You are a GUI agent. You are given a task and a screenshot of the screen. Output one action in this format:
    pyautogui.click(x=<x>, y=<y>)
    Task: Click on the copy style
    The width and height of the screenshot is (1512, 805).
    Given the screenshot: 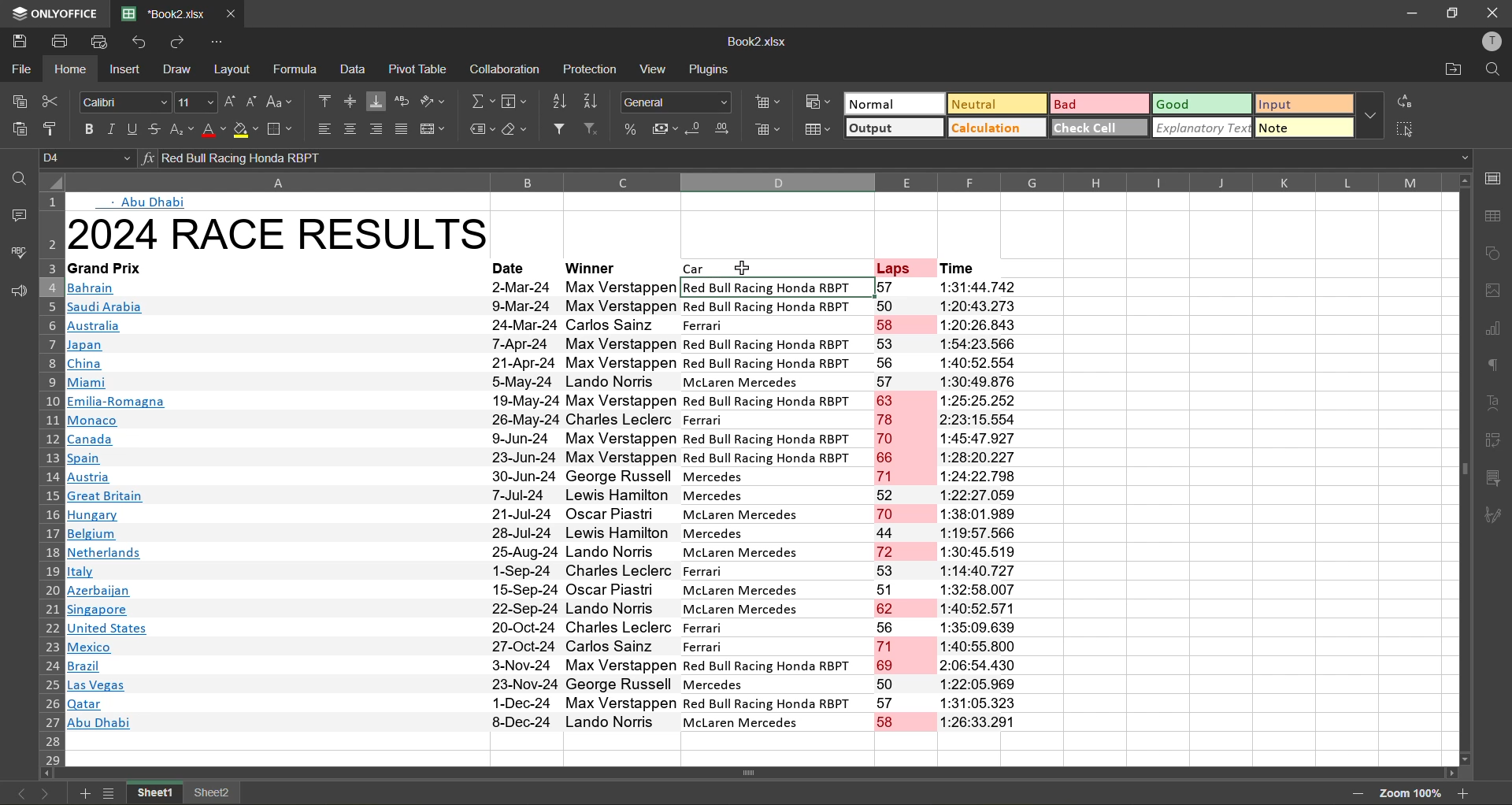 What is the action you would take?
    pyautogui.click(x=52, y=130)
    